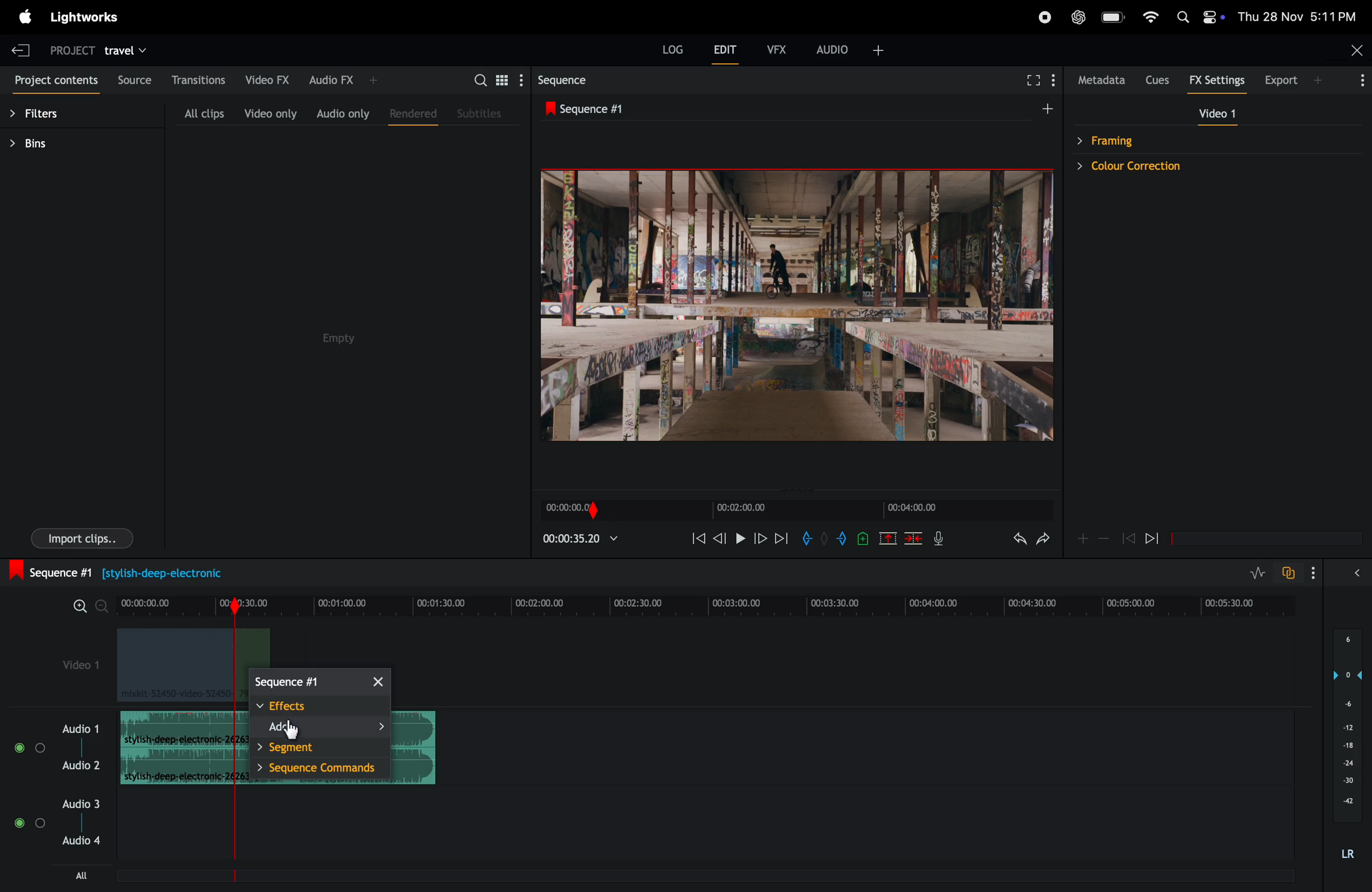 This screenshot has width=1372, height=892. I want to click on Empty, so click(346, 350).